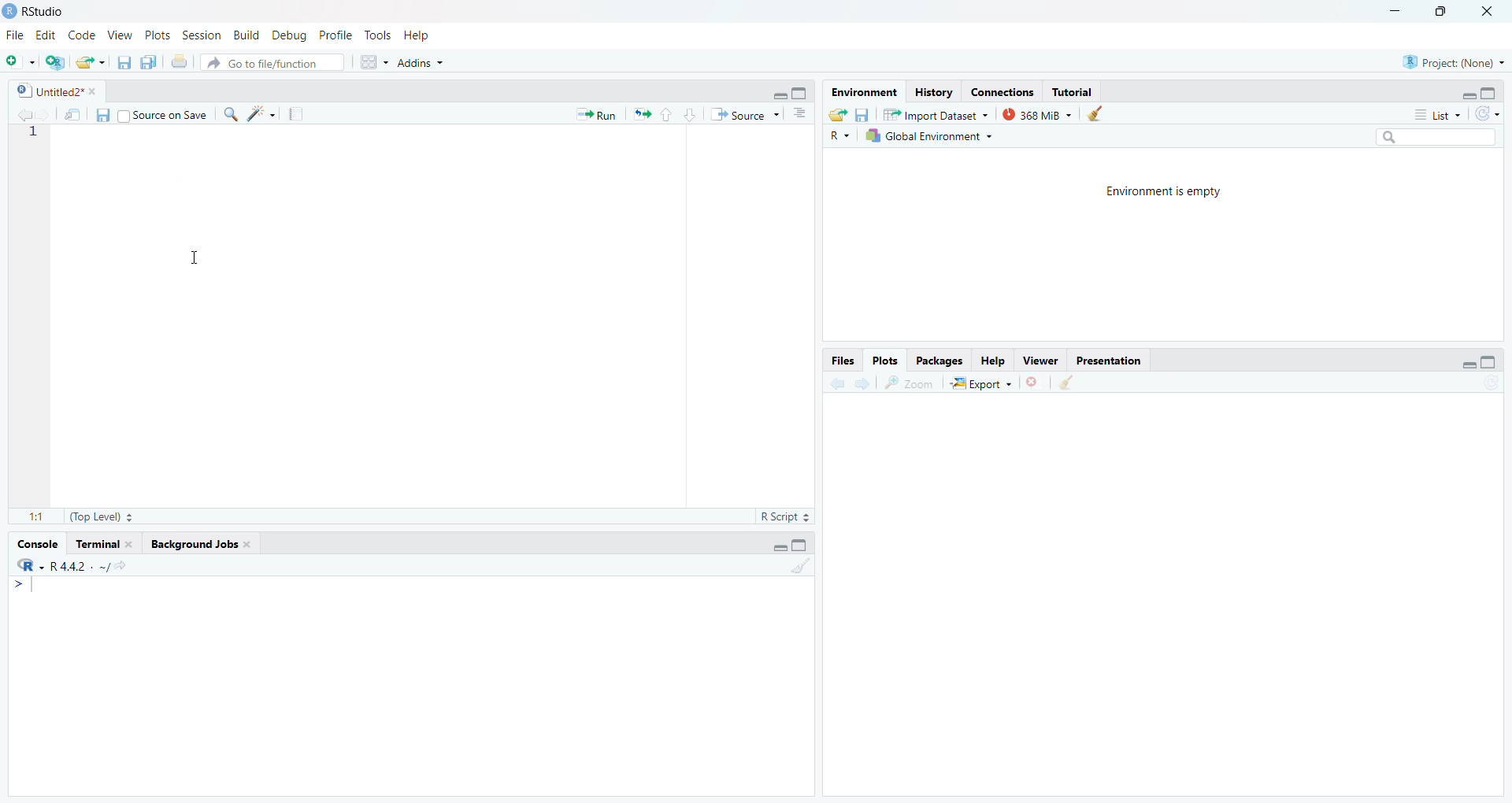  Describe the element at coordinates (54, 88) in the screenshot. I see `| Untitled2* *` at that location.